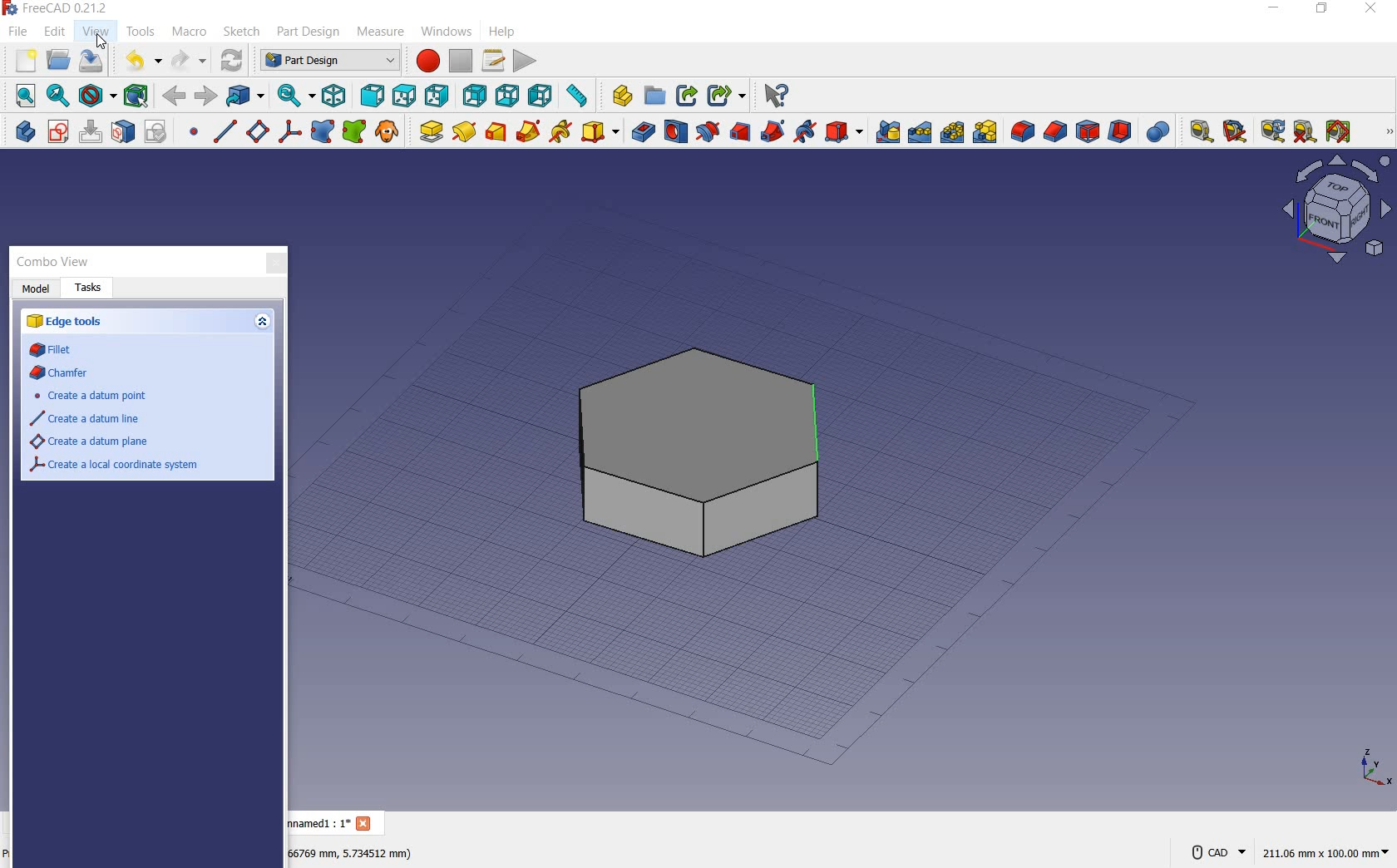 The width and height of the screenshot is (1397, 868). Describe the element at coordinates (231, 61) in the screenshot. I see `refresh` at that location.